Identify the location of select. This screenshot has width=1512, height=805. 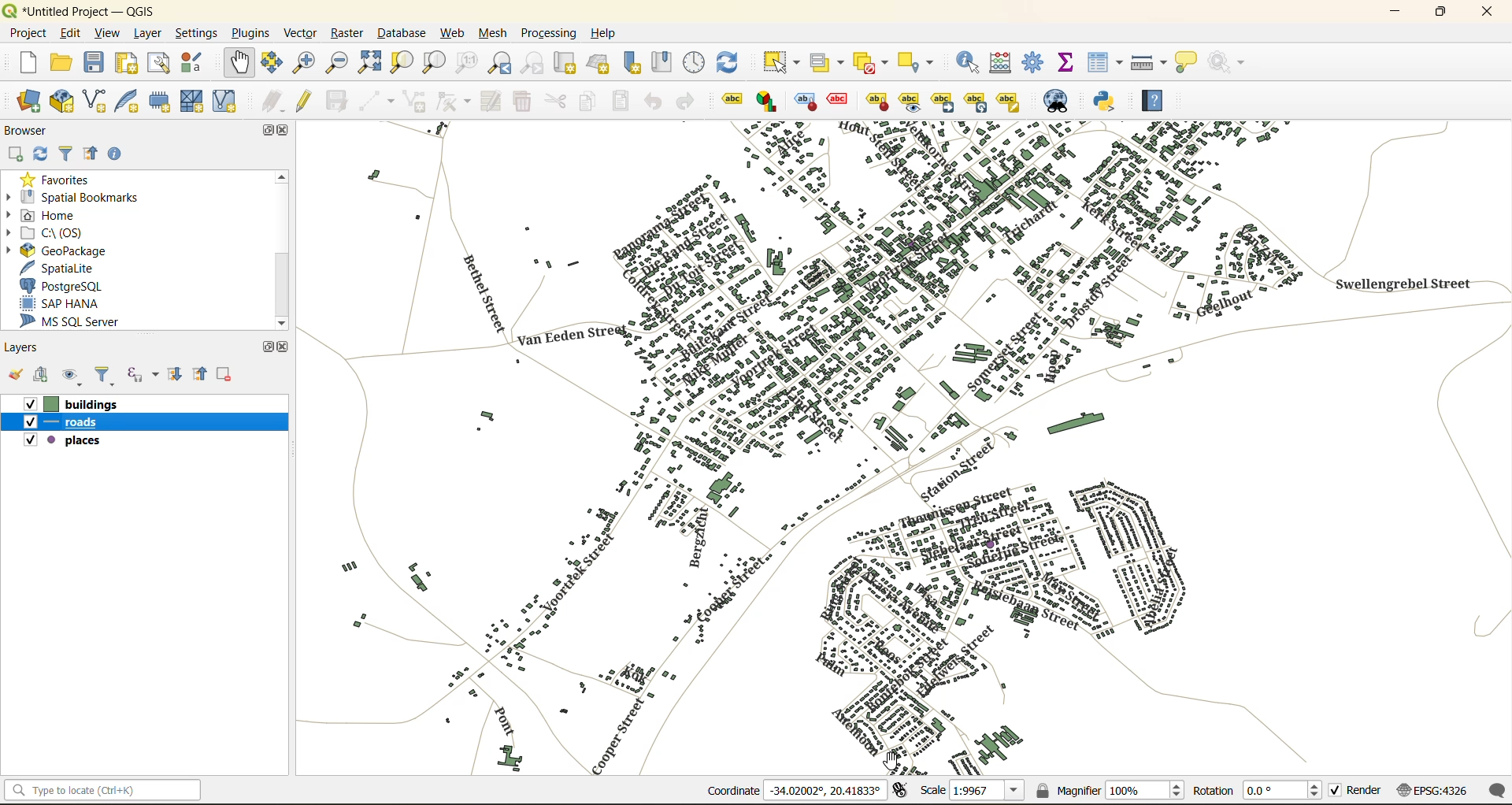
(784, 62).